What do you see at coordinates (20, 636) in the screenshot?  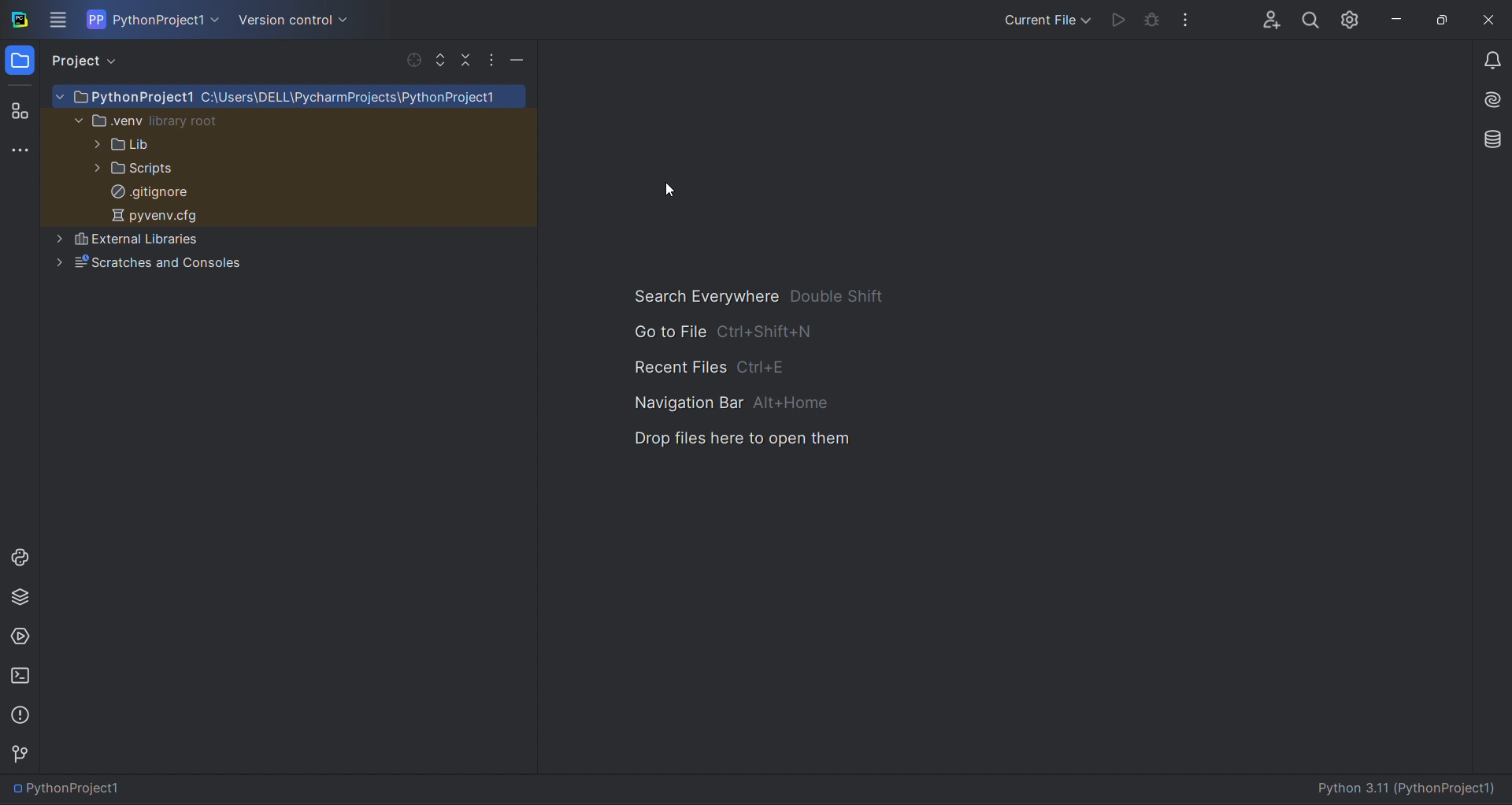 I see `services` at bounding box center [20, 636].